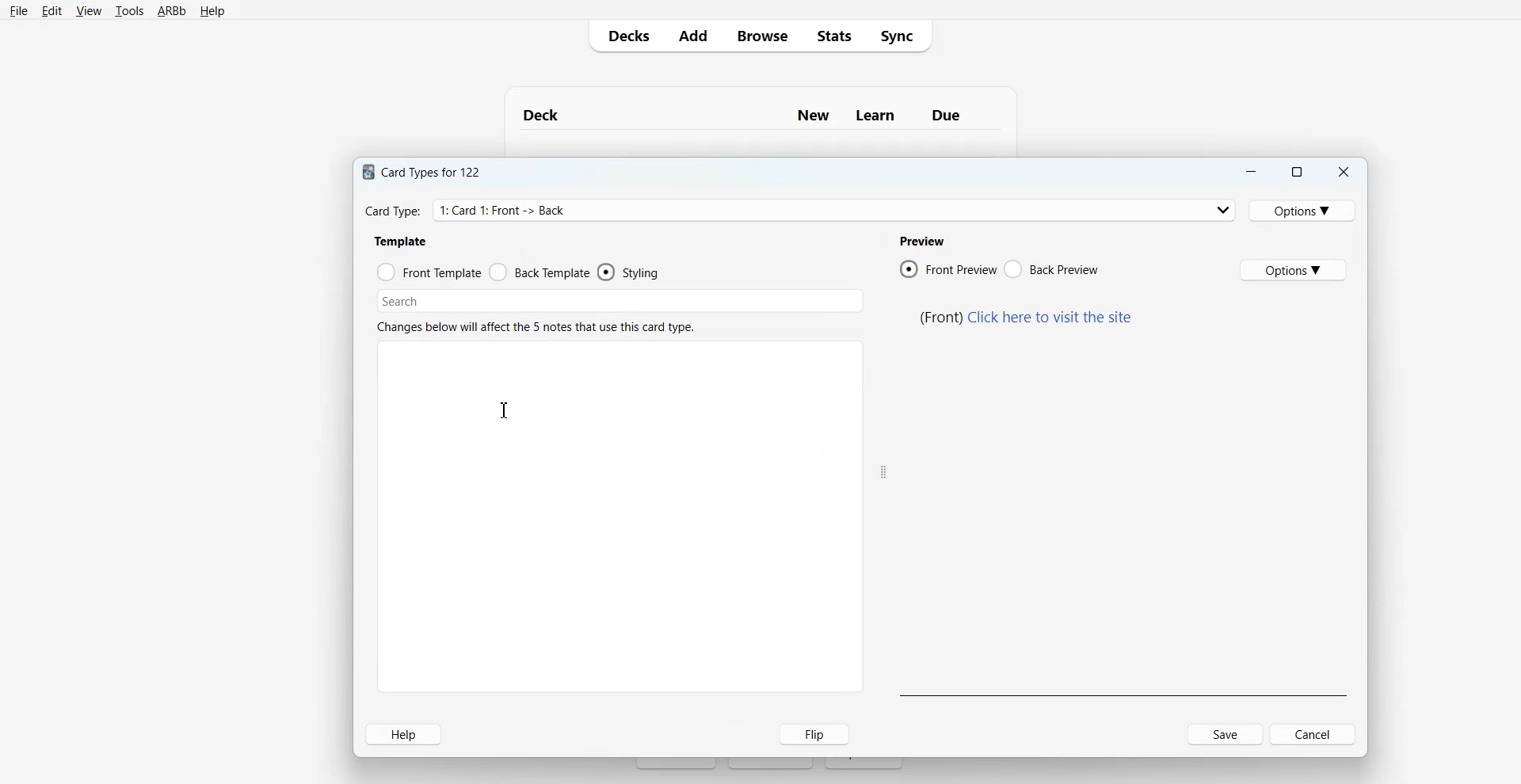  What do you see at coordinates (631, 272) in the screenshot?
I see `Styling` at bounding box center [631, 272].